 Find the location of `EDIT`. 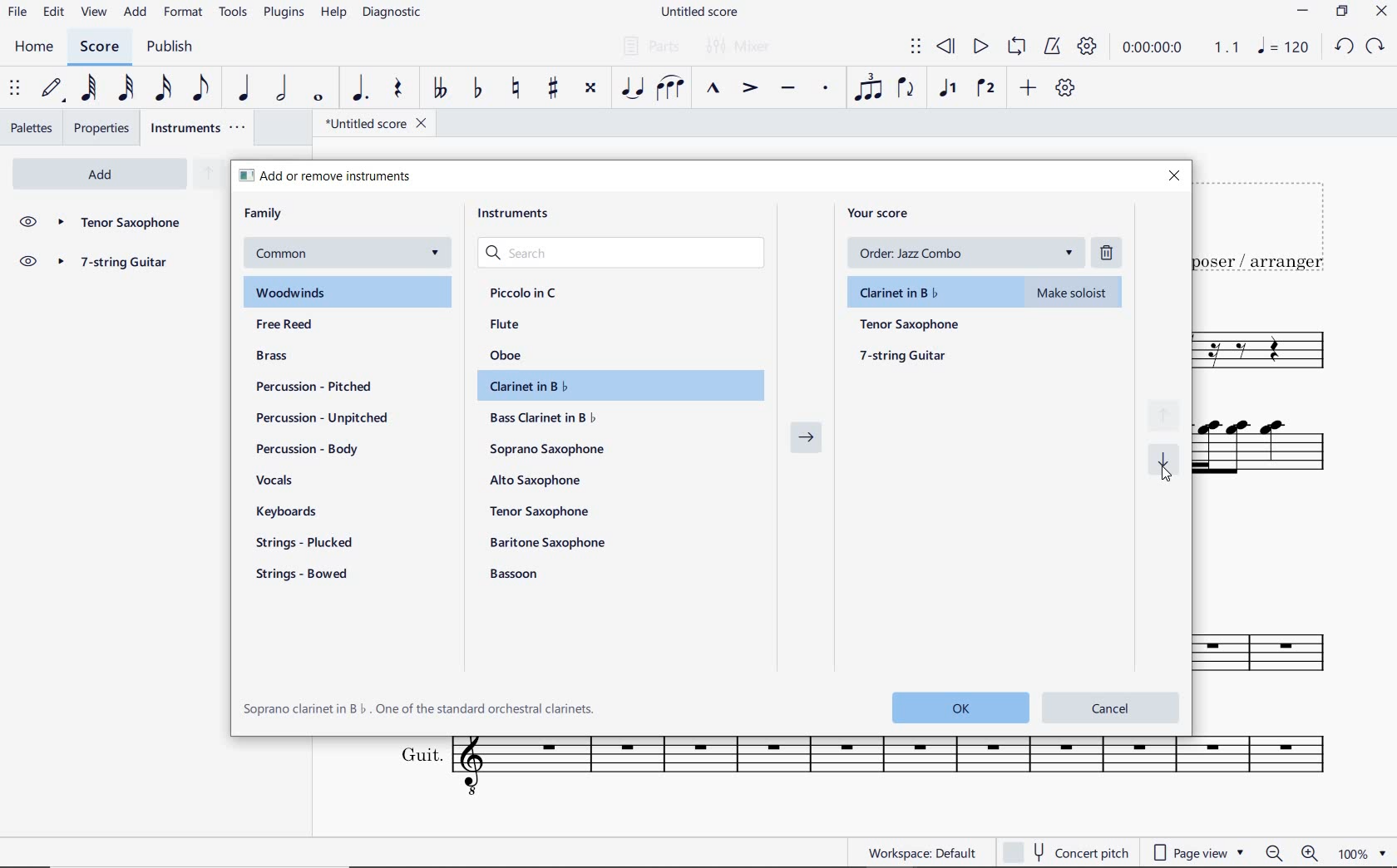

EDIT is located at coordinates (54, 12).